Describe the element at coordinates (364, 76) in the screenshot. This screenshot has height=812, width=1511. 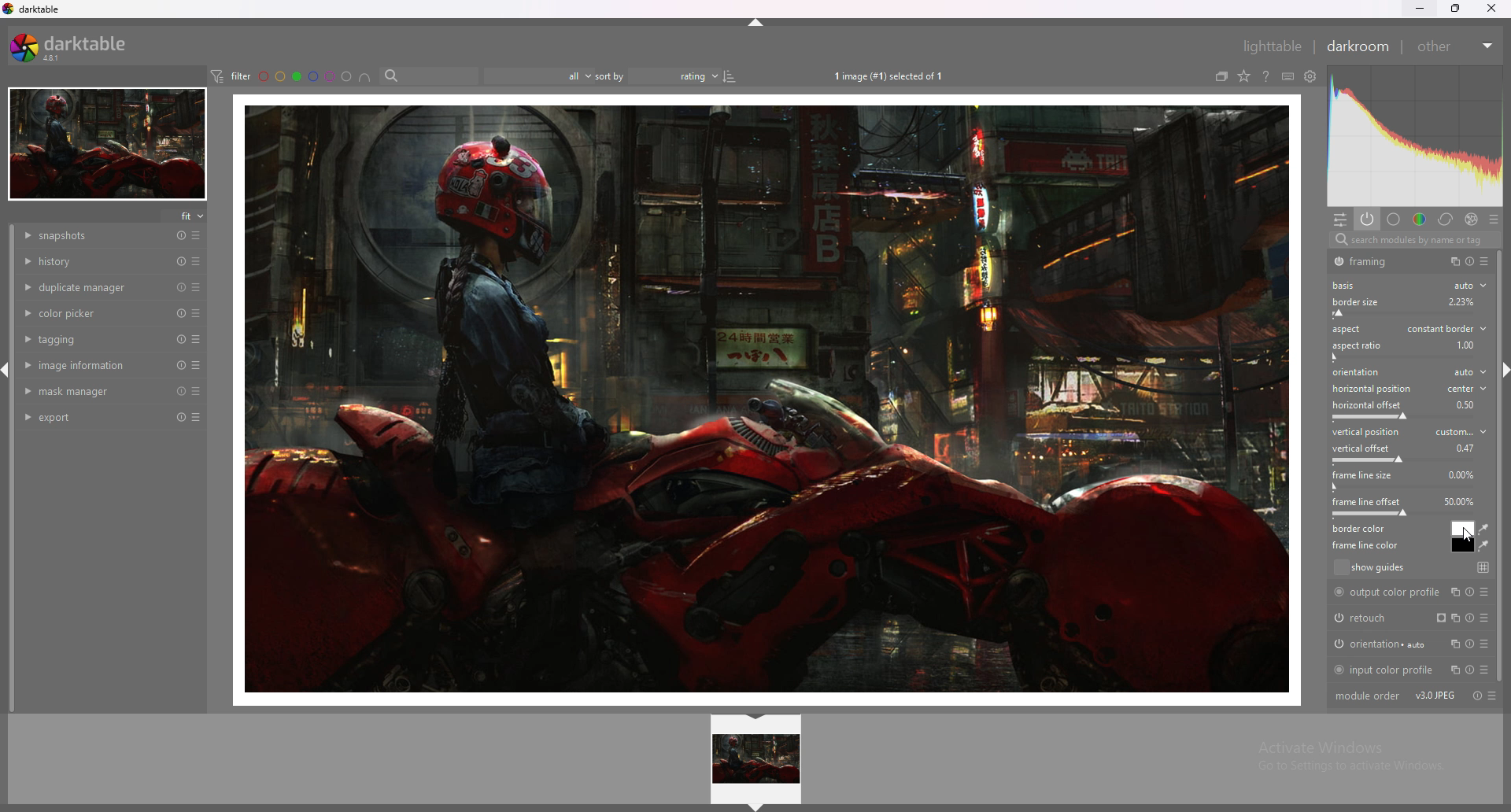
I see `images having all selected color labels` at that location.